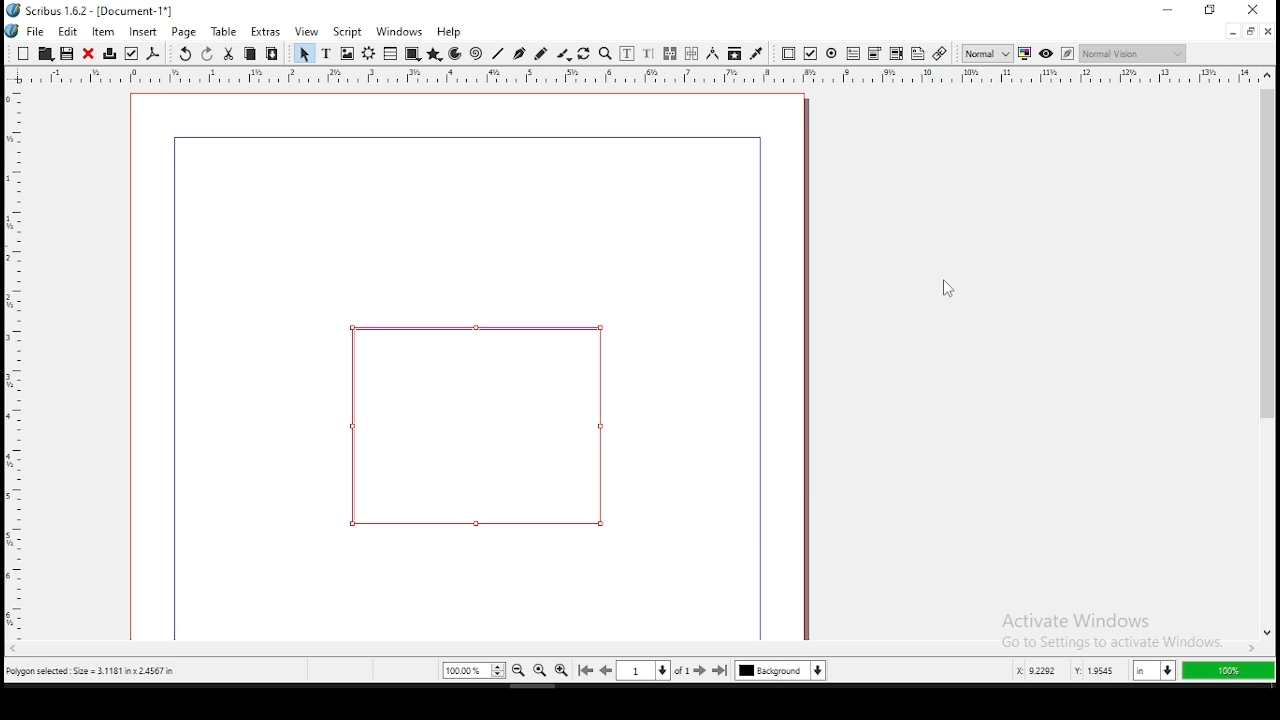 This screenshot has width=1280, height=720. I want to click on unlink text frames, so click(693, 54).